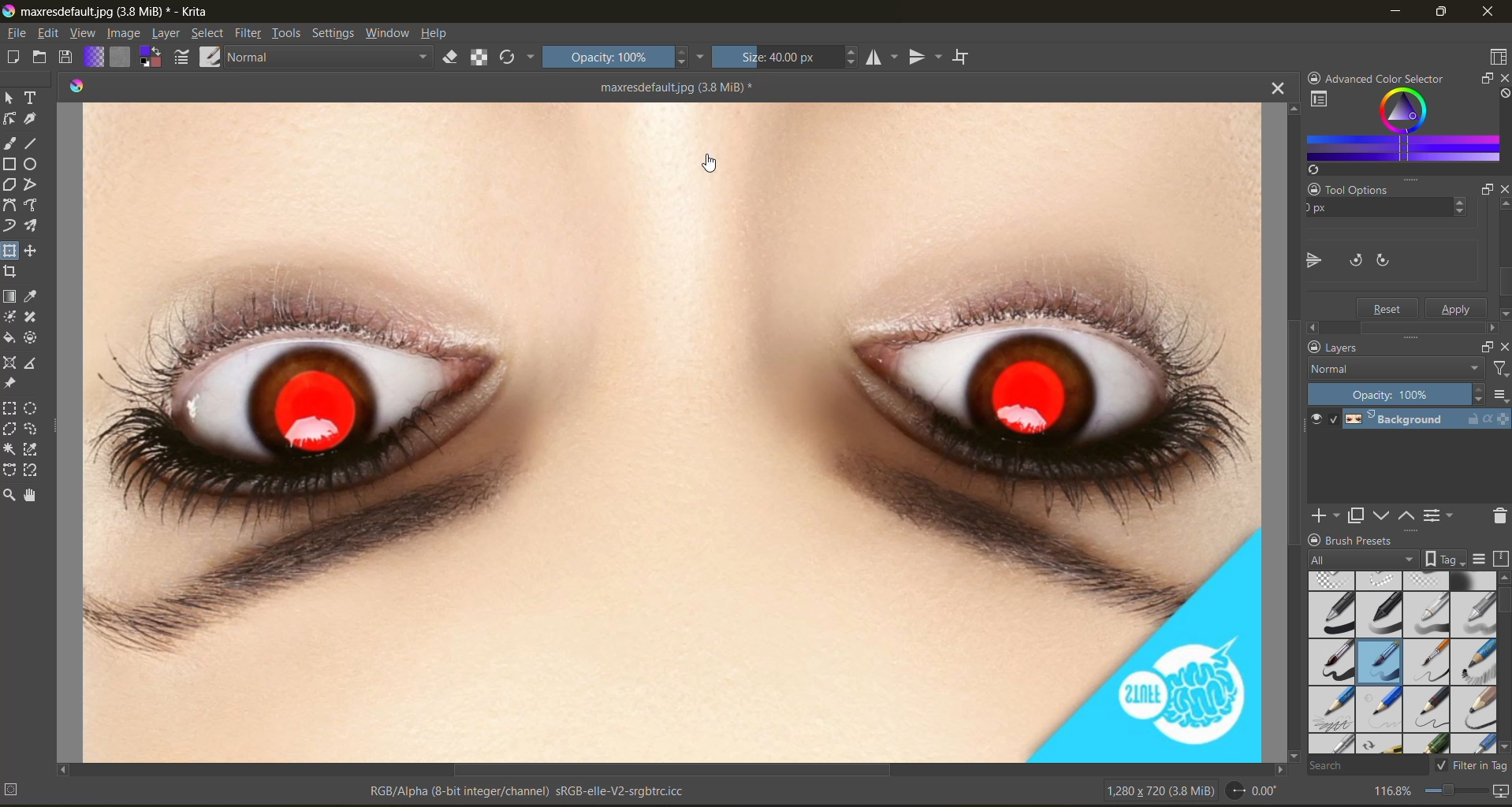 This screenshot has width=1512, height=807. What do you see at coordinates (963, 55) in the screenshot?
I see `wrap around mode` at bounding box center [963, 55].